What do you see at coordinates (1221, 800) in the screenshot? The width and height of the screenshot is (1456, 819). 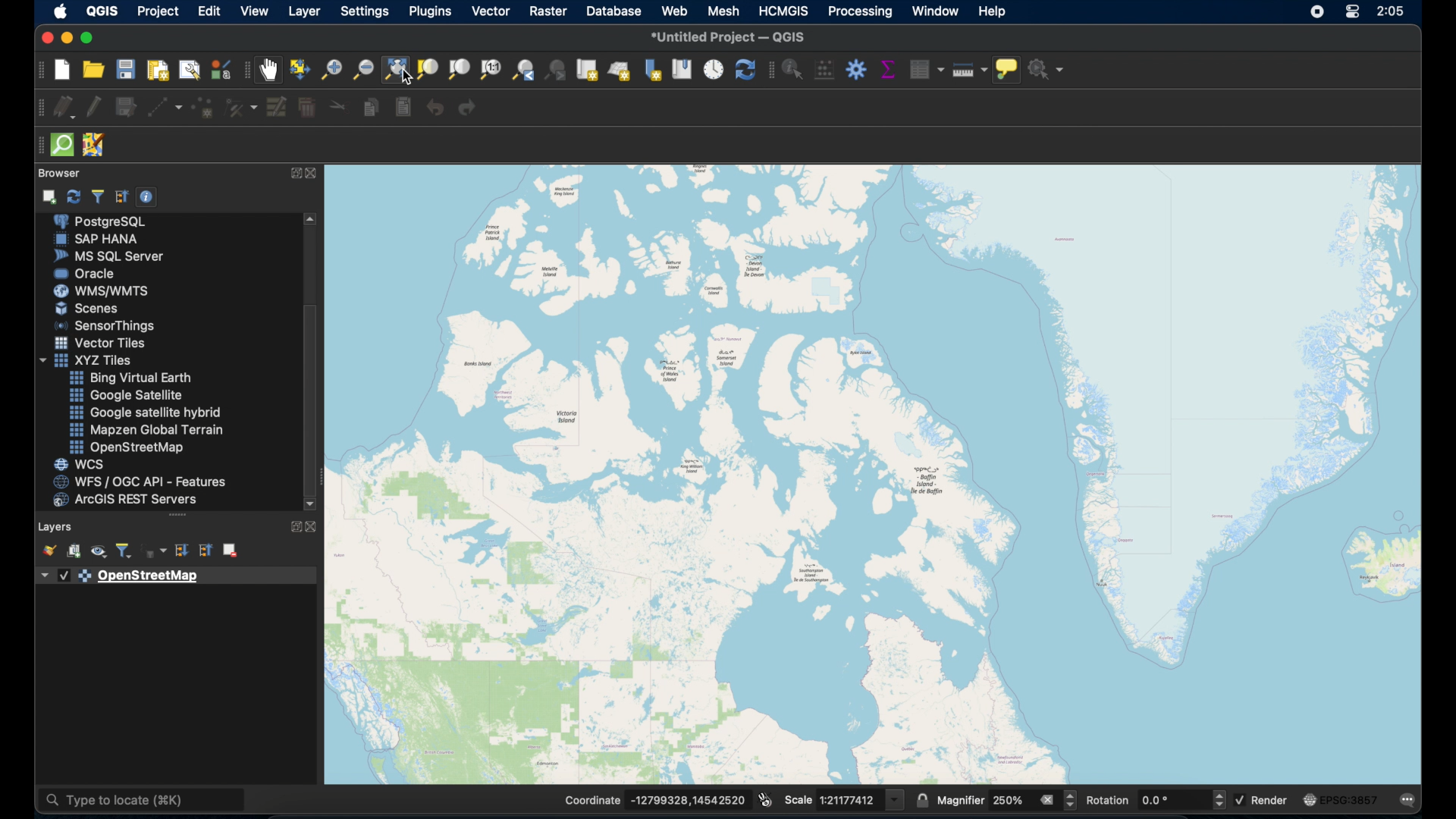 I see `increase or decrease rotation value` at bounding box center [1221, 800].